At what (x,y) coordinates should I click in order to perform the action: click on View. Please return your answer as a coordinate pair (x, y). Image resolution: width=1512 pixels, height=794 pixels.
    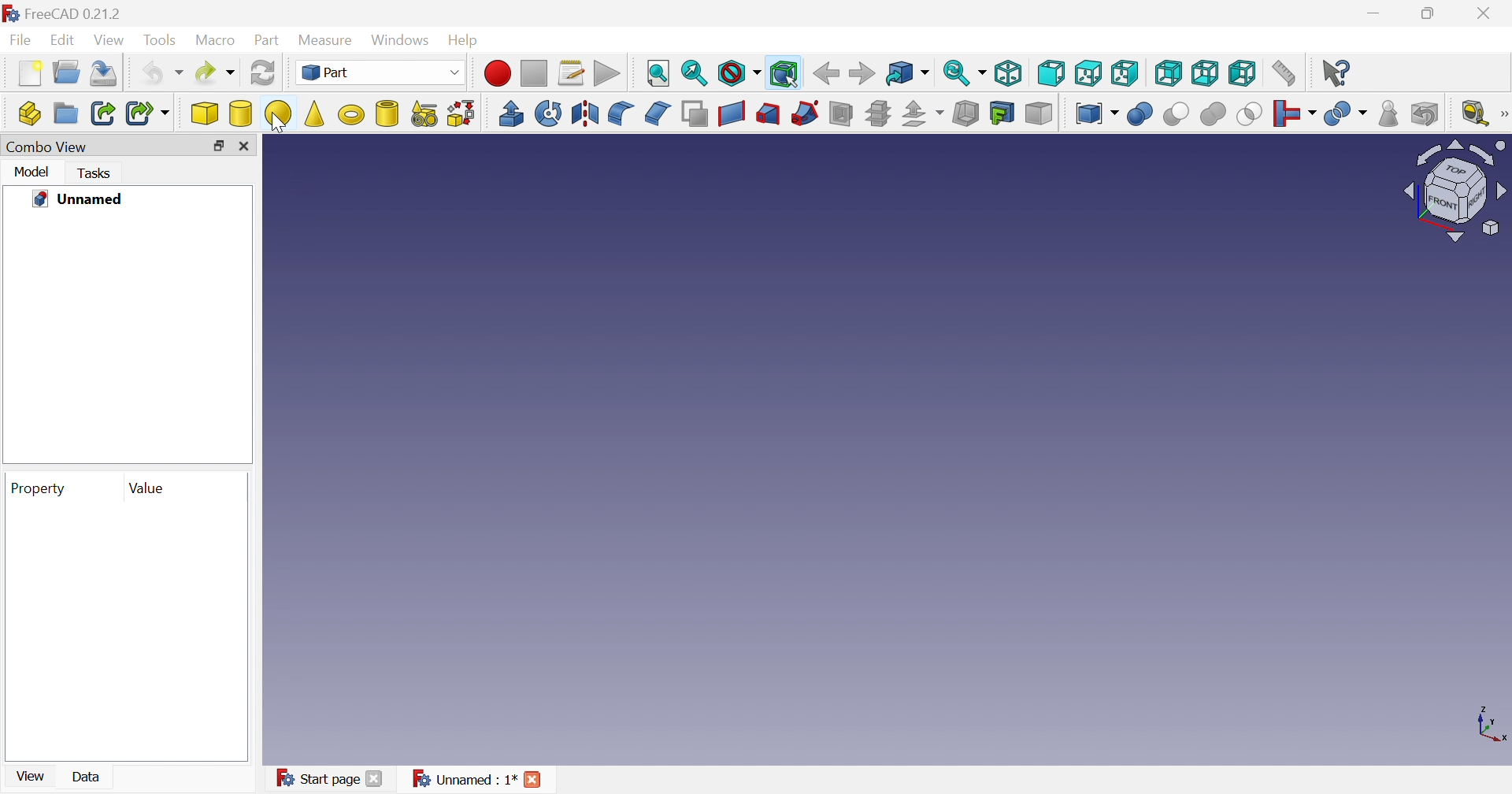
    Looking at the image, I should click on (32, 776).